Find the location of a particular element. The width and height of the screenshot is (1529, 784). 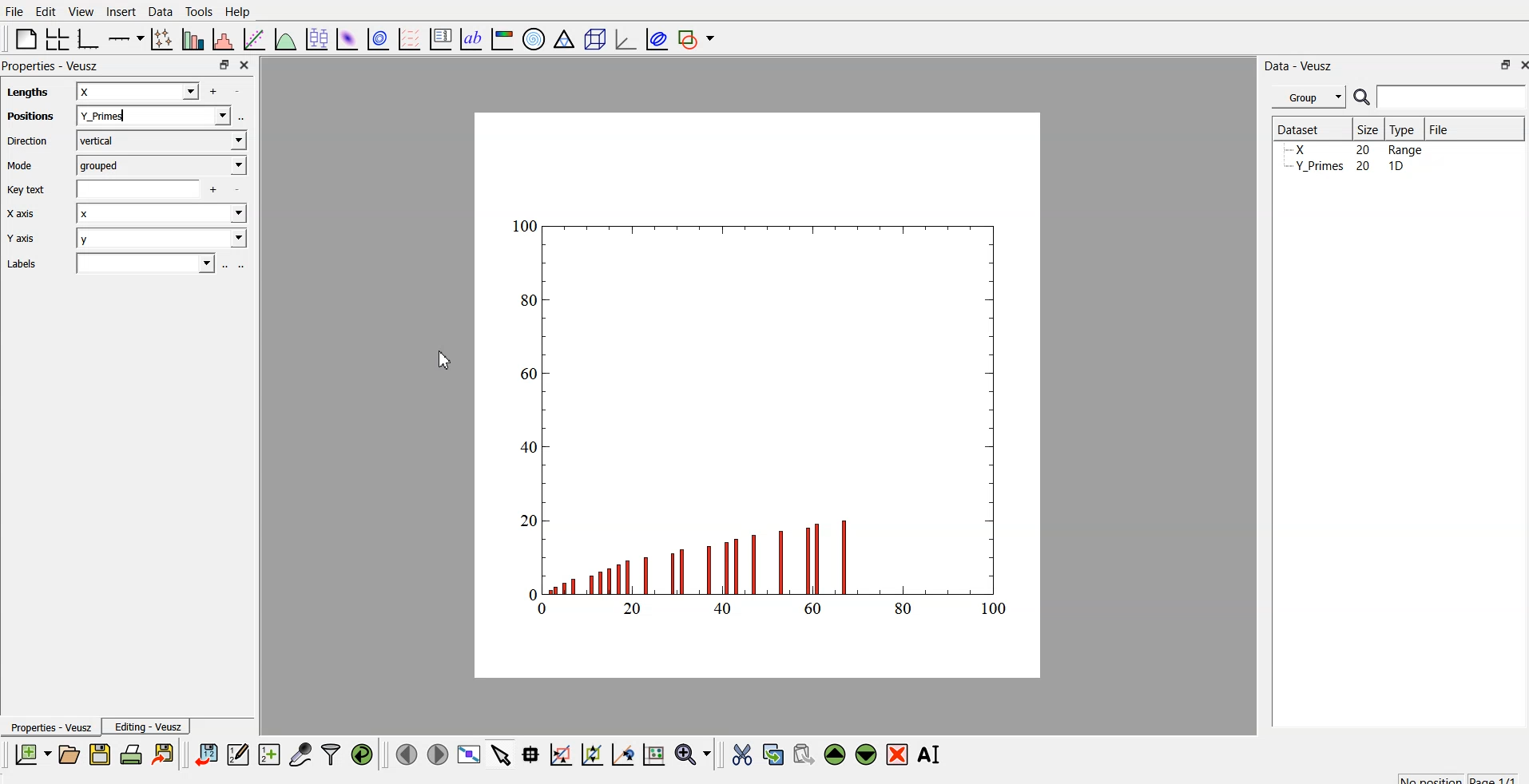

fit function to data is located at coordinates (252, 38).